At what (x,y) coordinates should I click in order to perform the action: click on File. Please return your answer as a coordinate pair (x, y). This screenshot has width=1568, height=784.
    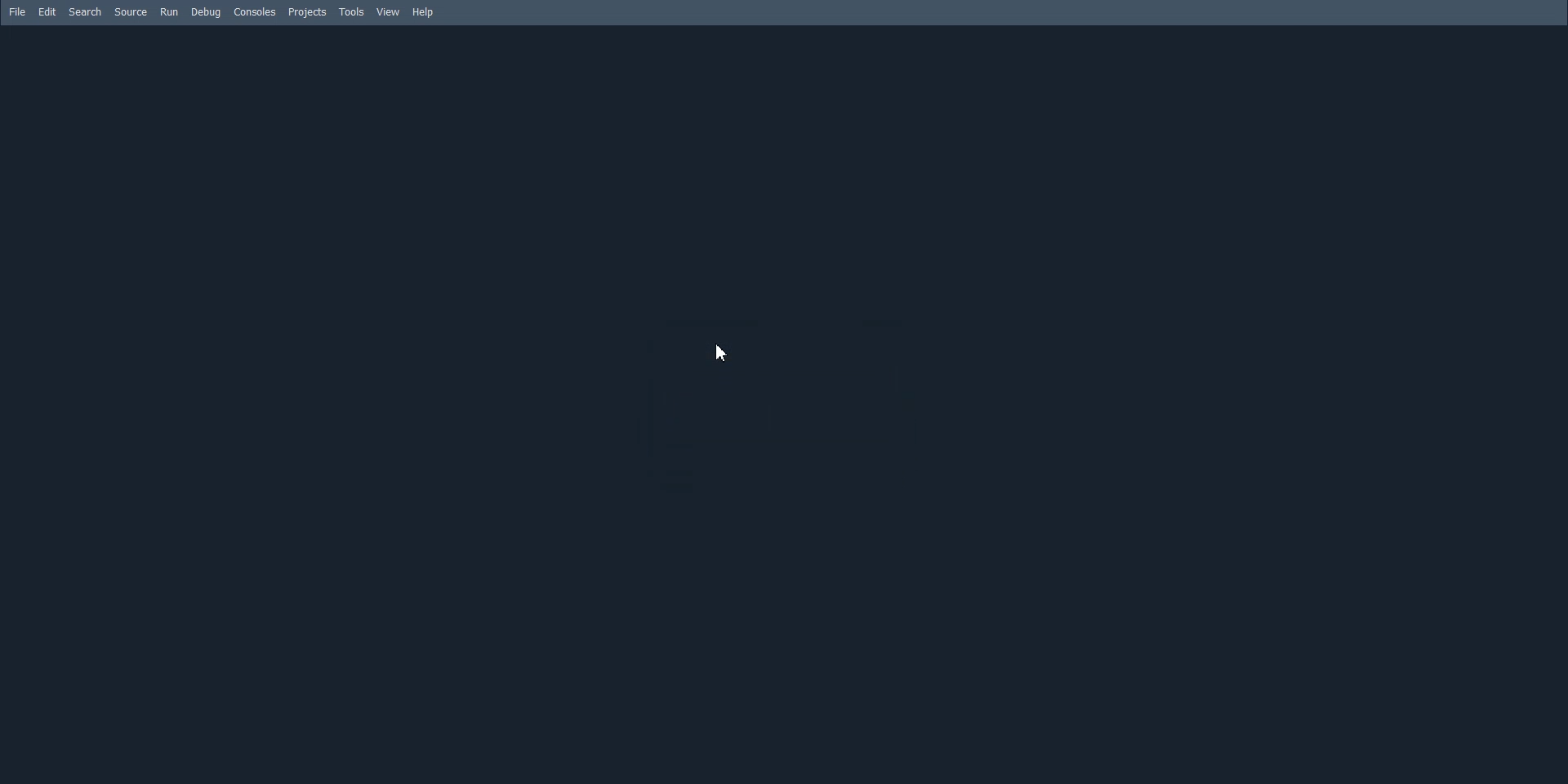
    Looking at the image, I should click on (16, 11).